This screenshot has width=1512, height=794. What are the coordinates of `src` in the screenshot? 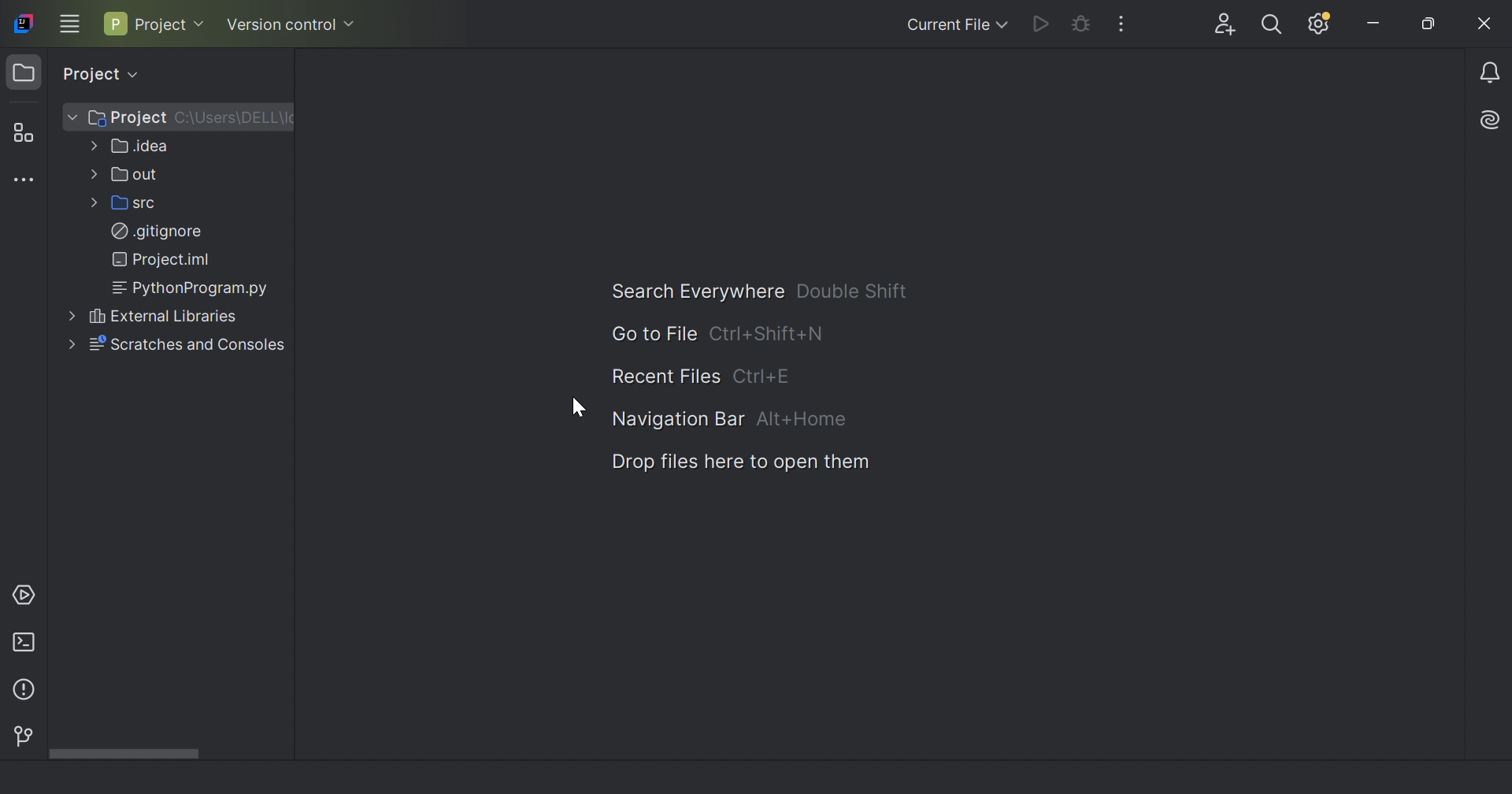 It's located at (132, 202).